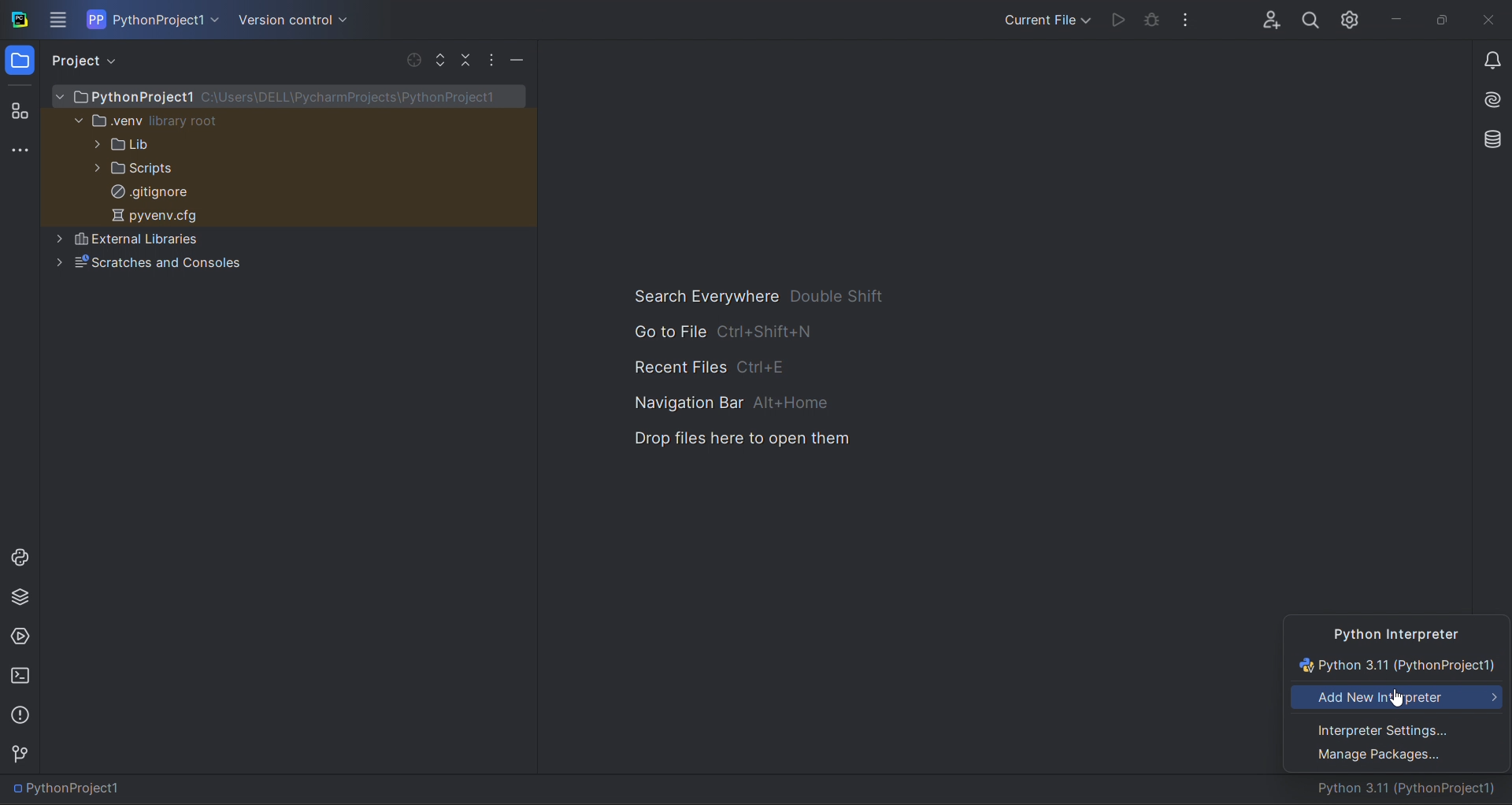 This screenshot has width=1512, height=805. What do you see at coordinates (760, 369) in the screenshot?
I see `hotkey options` at bounding box center [760, 369].